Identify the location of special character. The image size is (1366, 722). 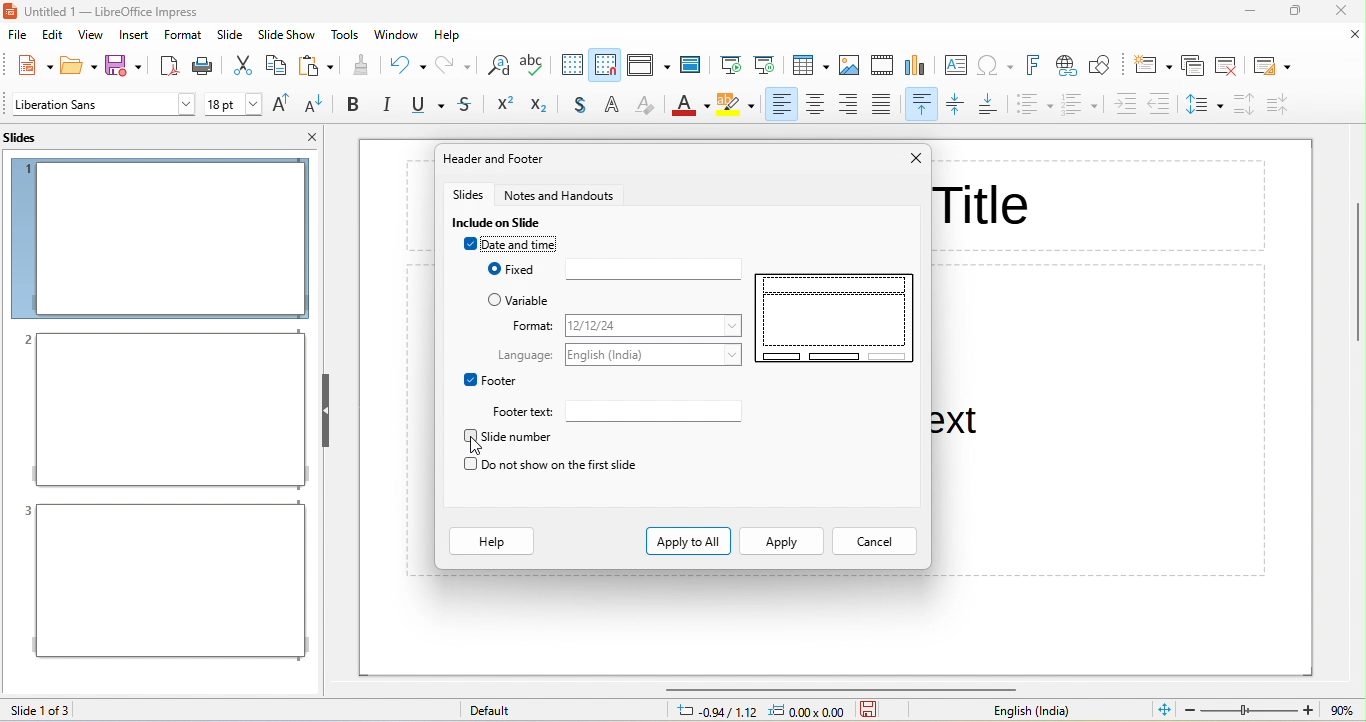
(999, 65).